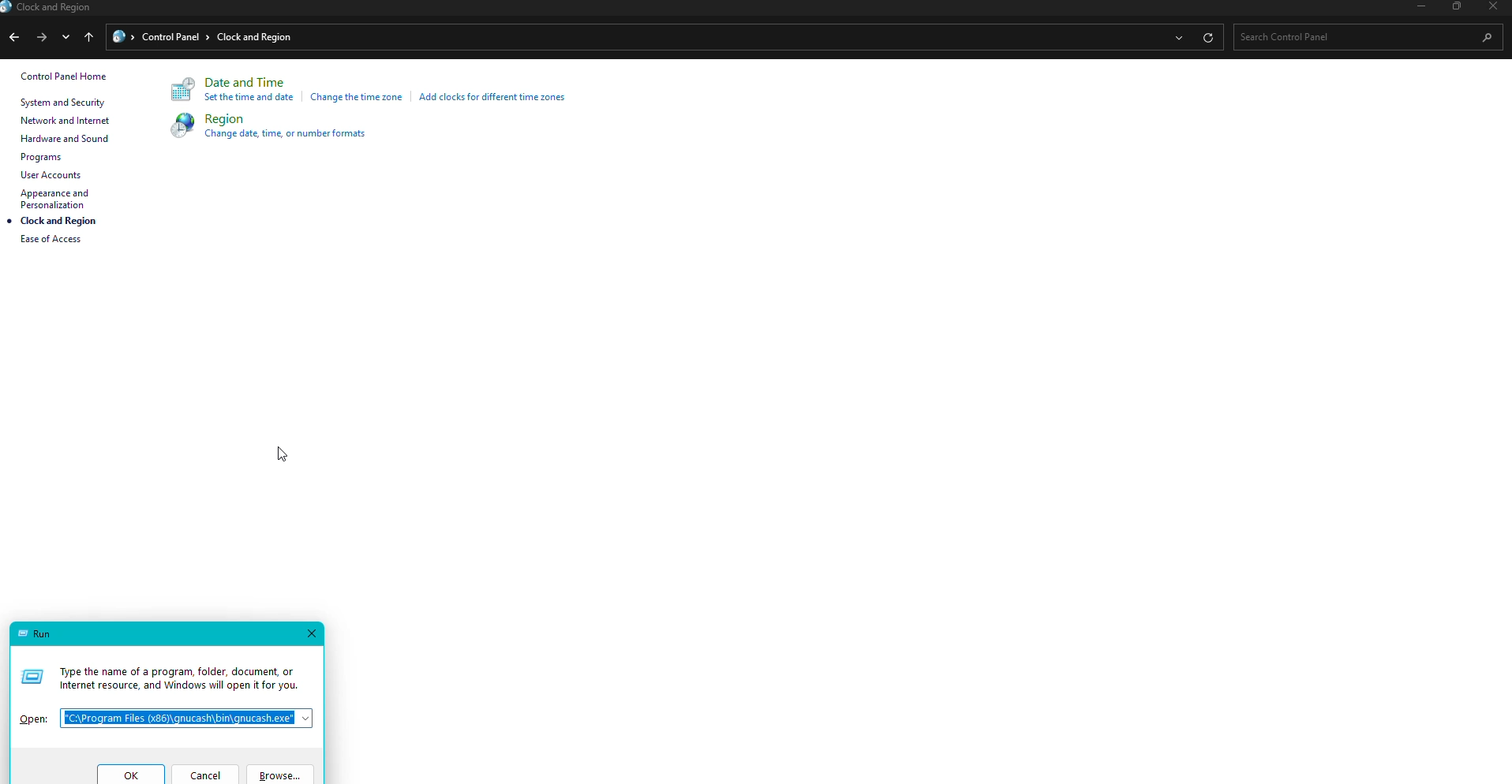 This screenshot has height=784, width=1512. What do you see at coordinates (225, 119) in the screenshot?
I see `Region` at bounding box center [225, 119].